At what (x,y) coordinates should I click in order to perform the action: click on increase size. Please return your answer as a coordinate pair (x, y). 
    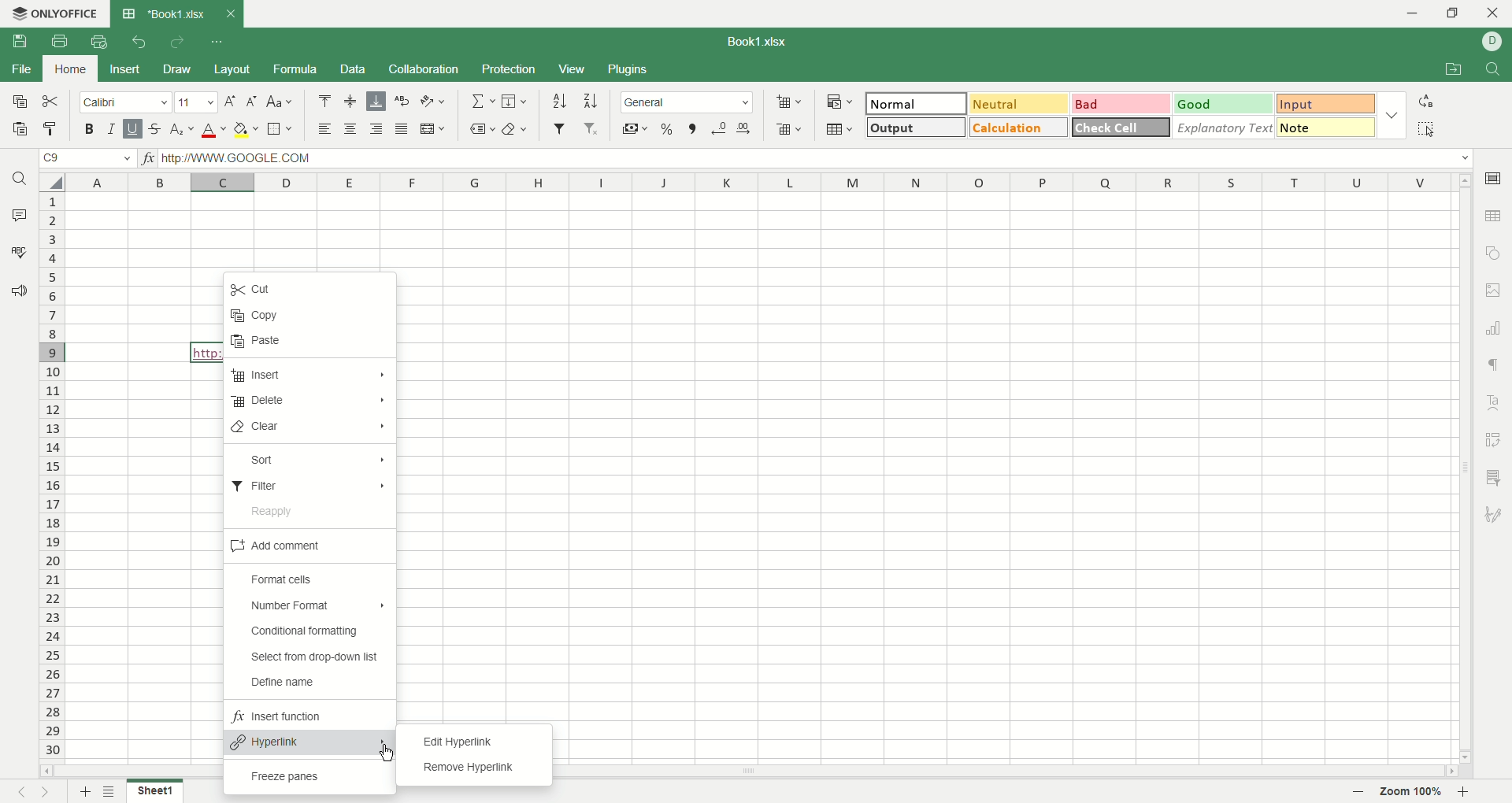
    Looking at the image, I should click on (231, 102).